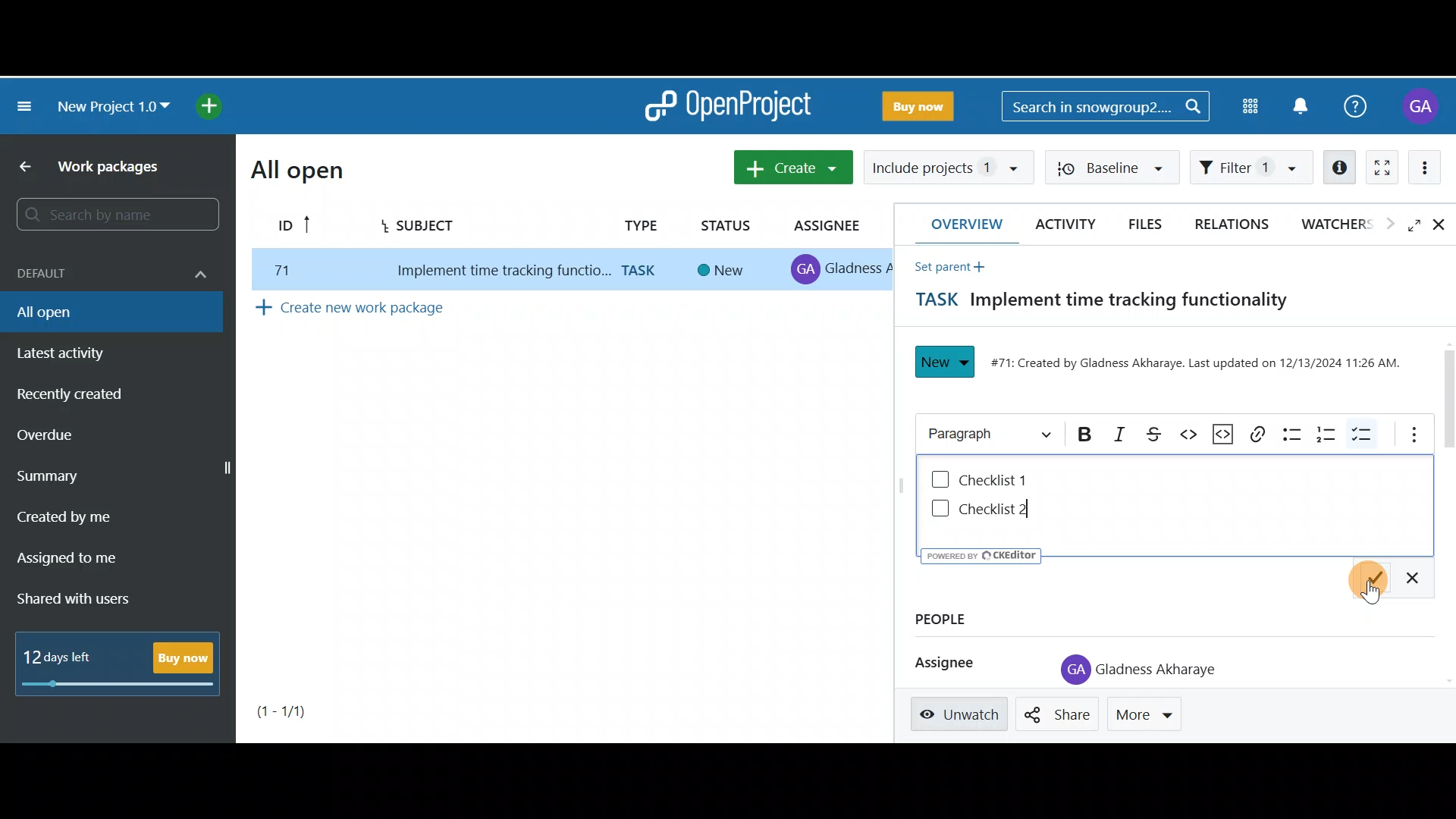  I want to click on 12 days left, so click(61, 657).